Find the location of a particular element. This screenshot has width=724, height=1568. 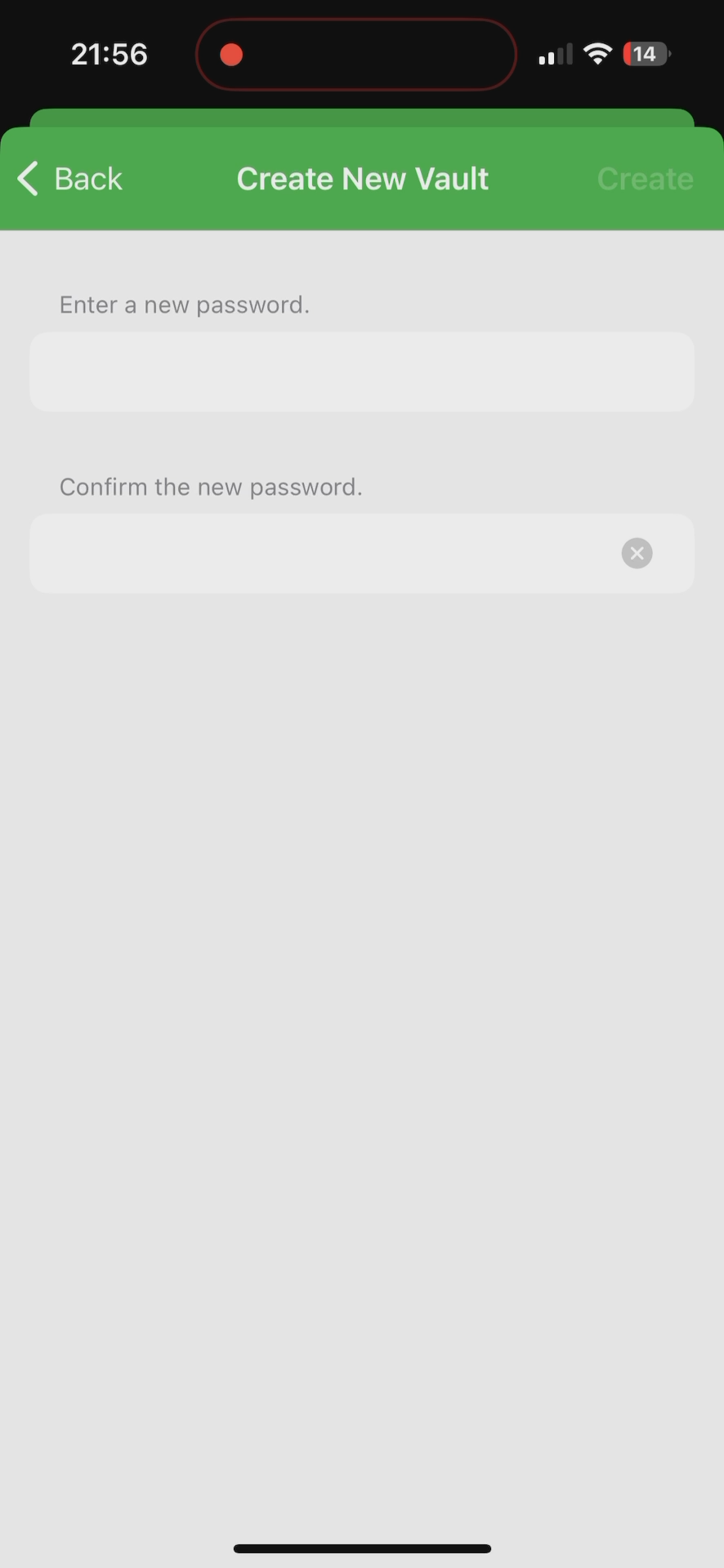

21:56 is located at coordinates (107, 57).